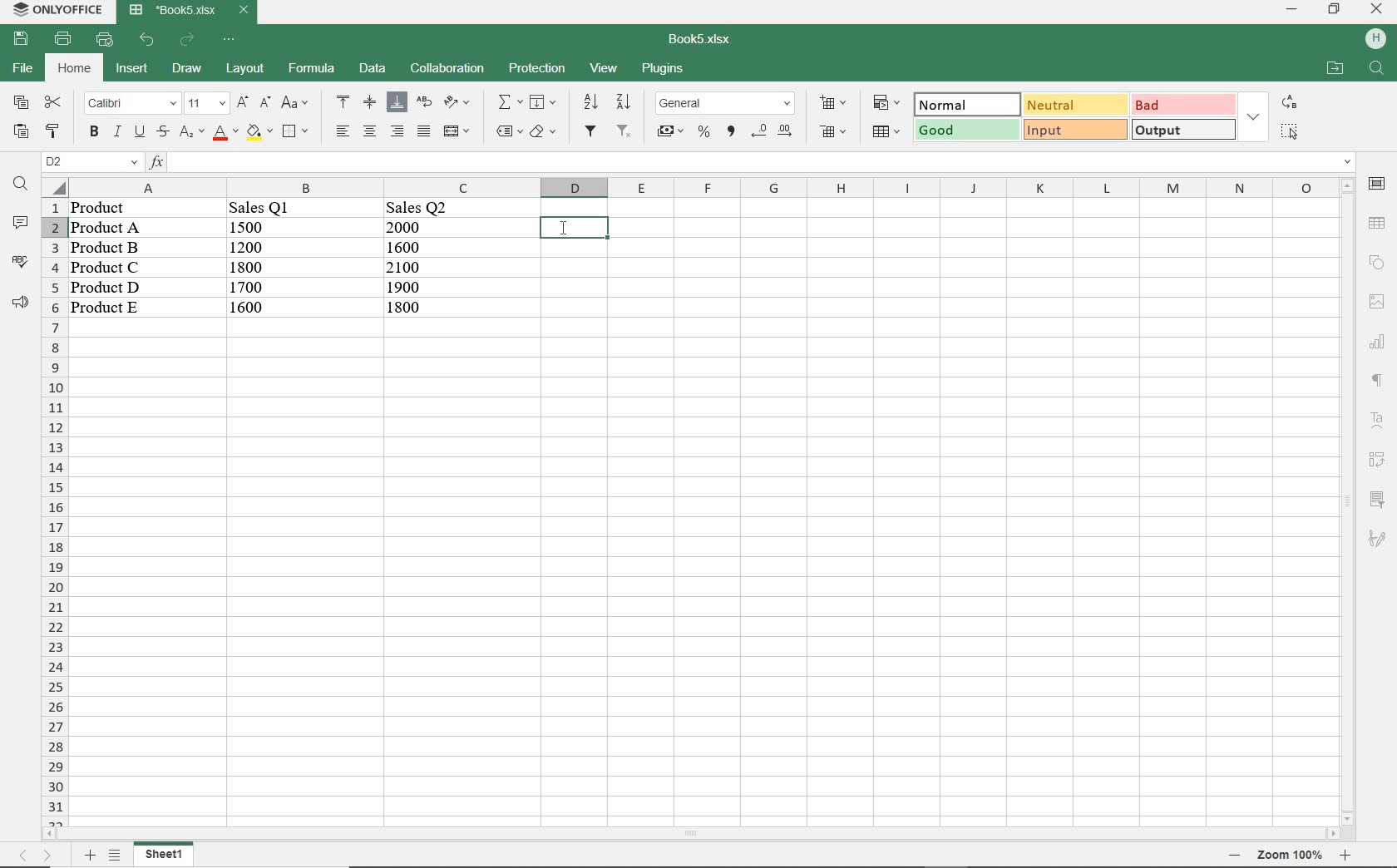 Image resolution: width=1397 pixels, height=868 pixels. Describe the element at coordinates (312, 68) in the screenshot. I see `formula` at that location.